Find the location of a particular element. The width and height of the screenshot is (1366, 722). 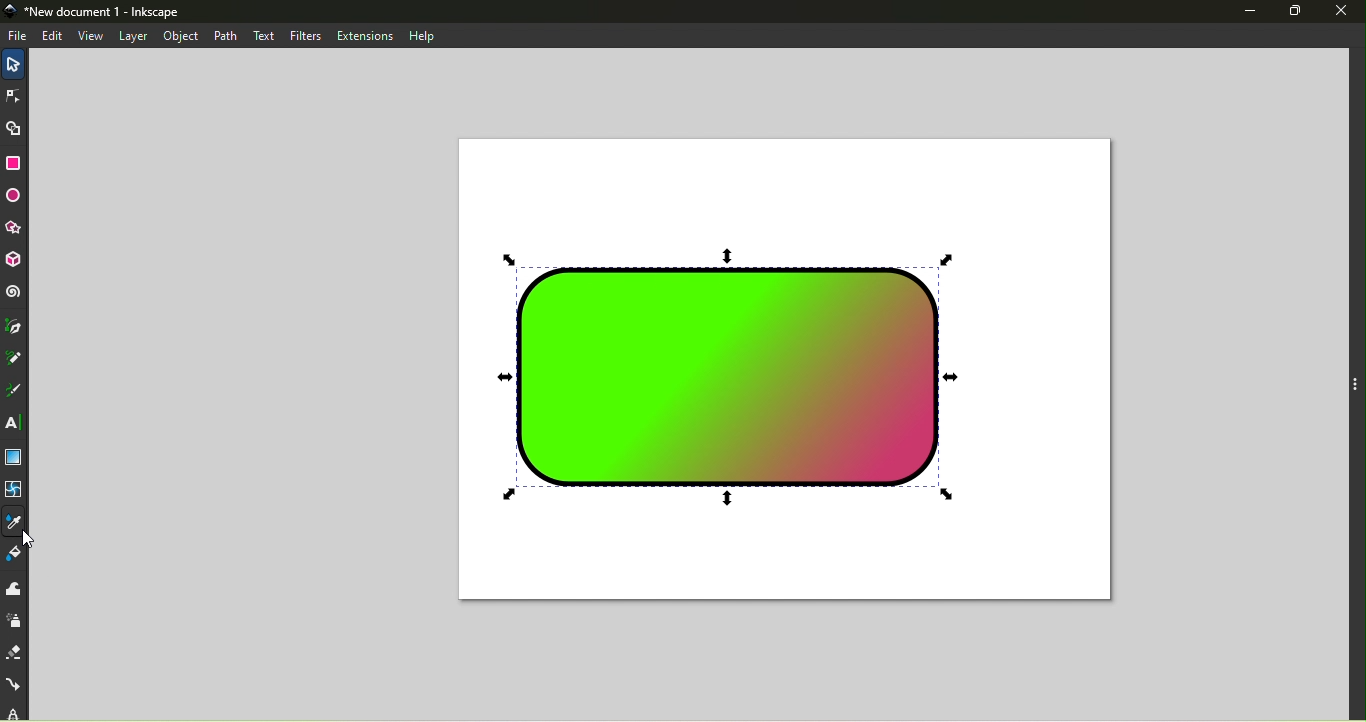

Maximize is located at coordinates (1301, 11).